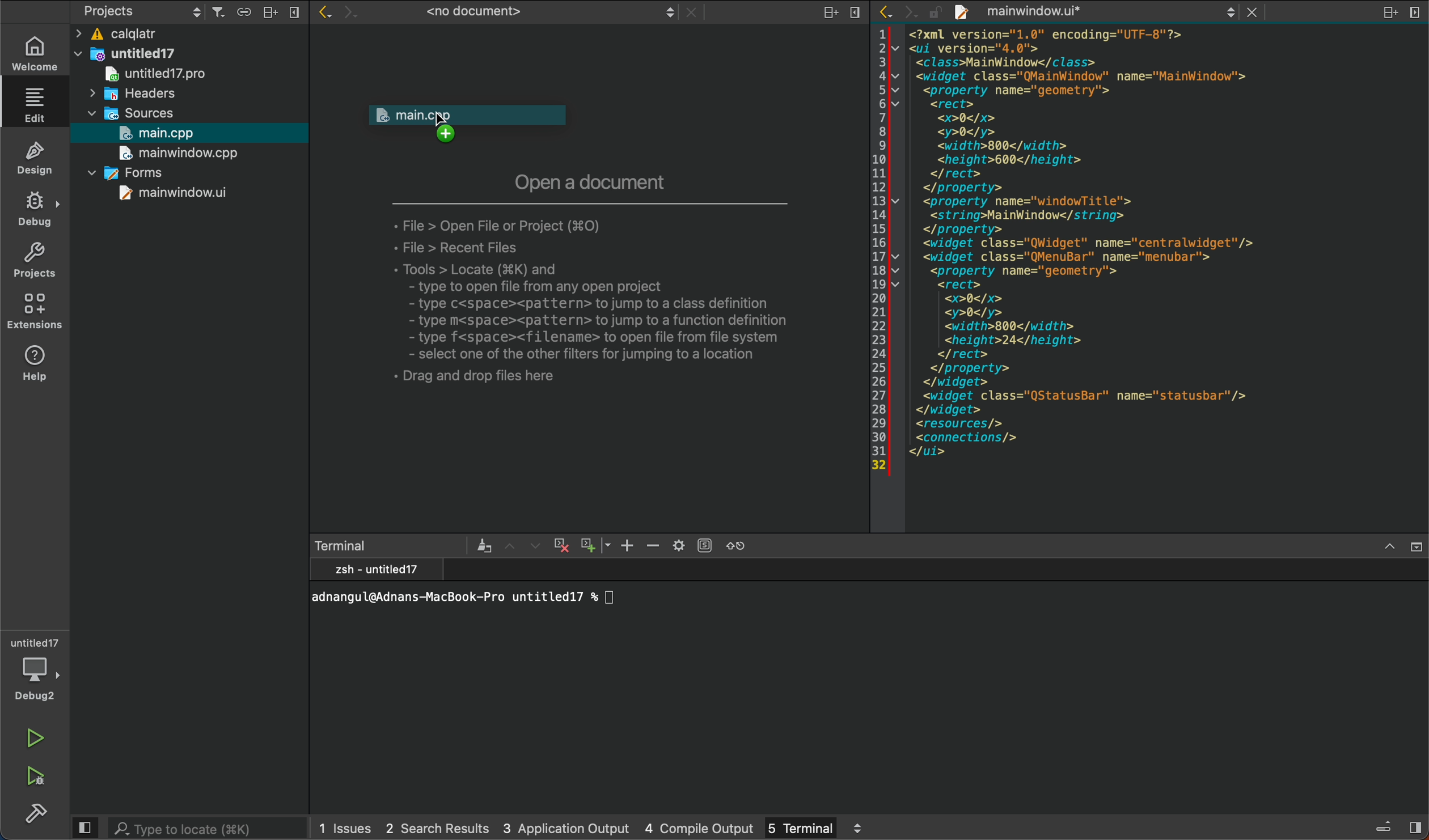 This screenshot has width=1429, height=840. Describe the element at coordinates (692, 14) in the screenshot. I see `close document` at that location.